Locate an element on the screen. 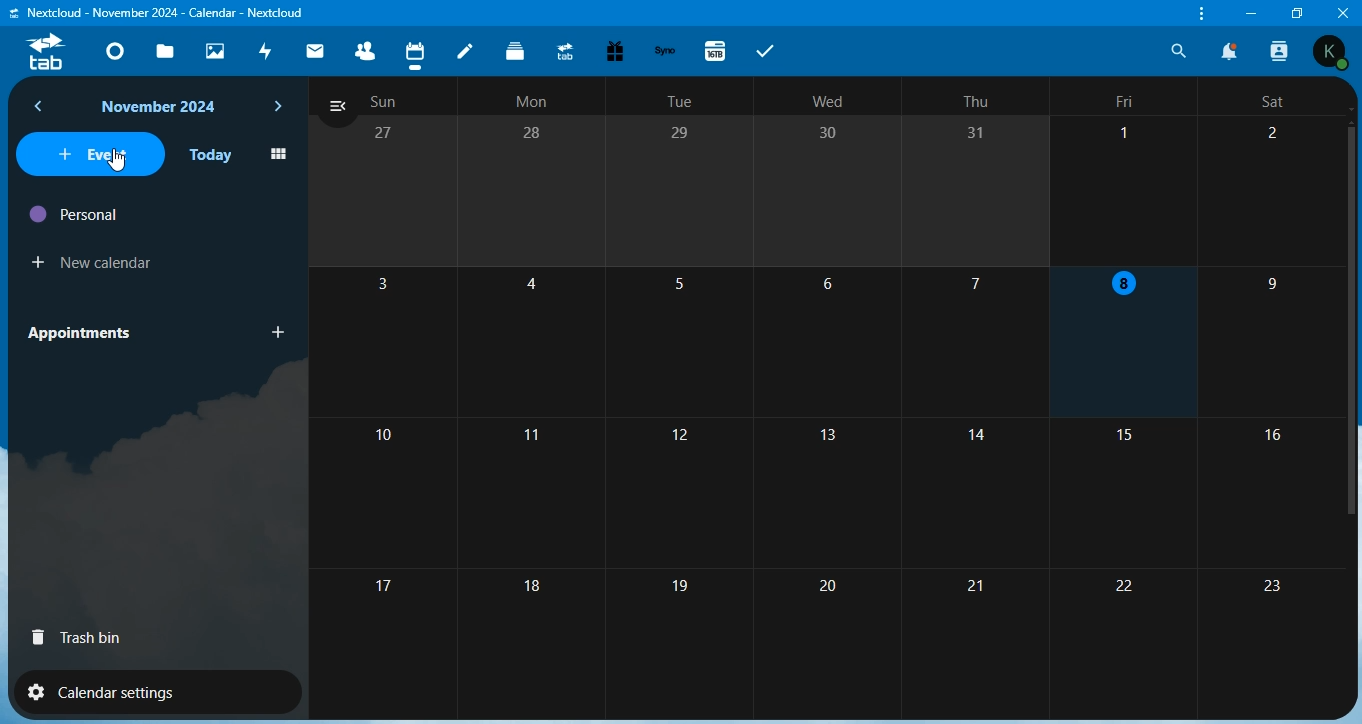  event is located at coordinates (88, 154).